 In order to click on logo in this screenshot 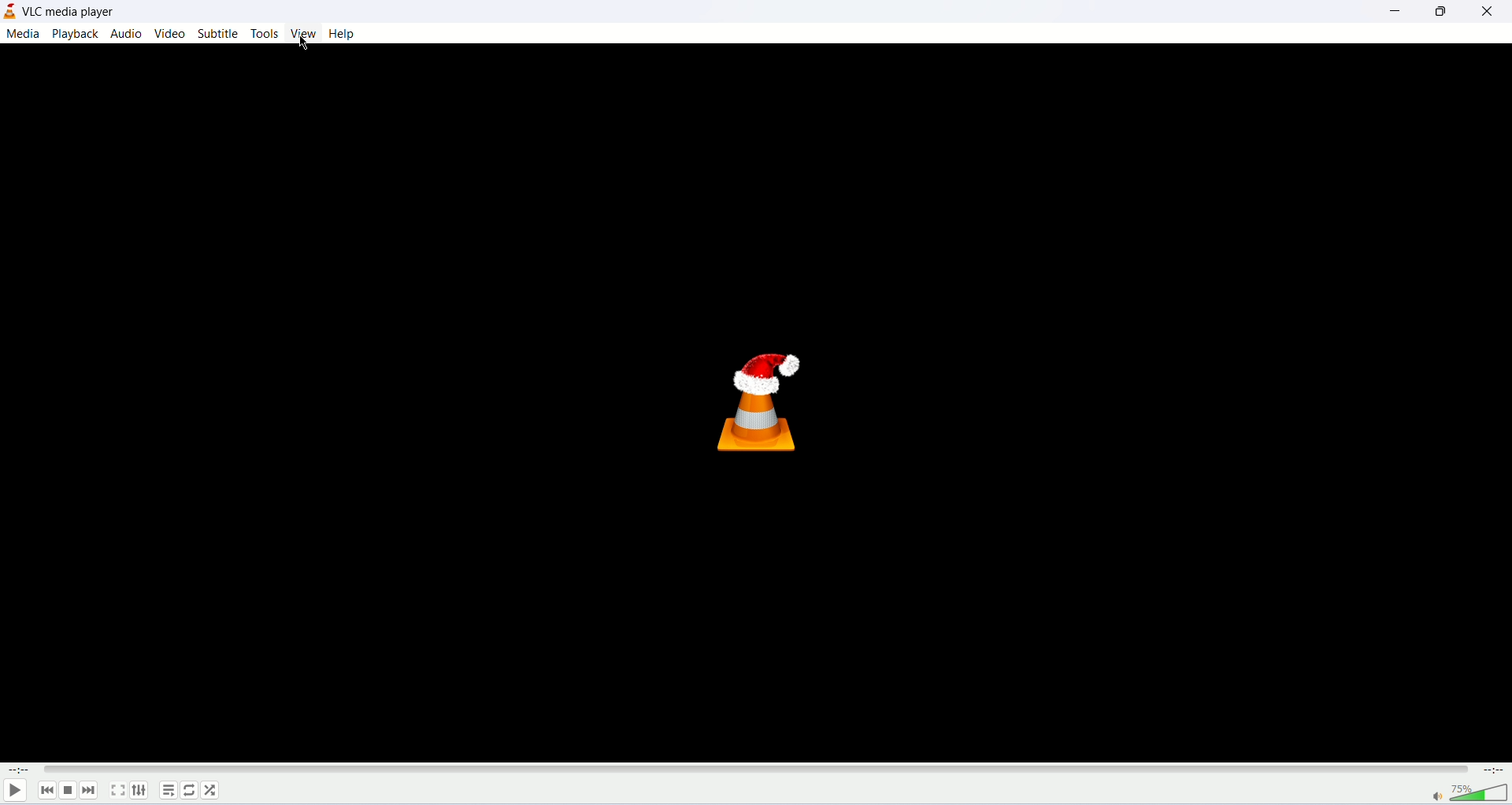, I will do `click(9, 13)`.